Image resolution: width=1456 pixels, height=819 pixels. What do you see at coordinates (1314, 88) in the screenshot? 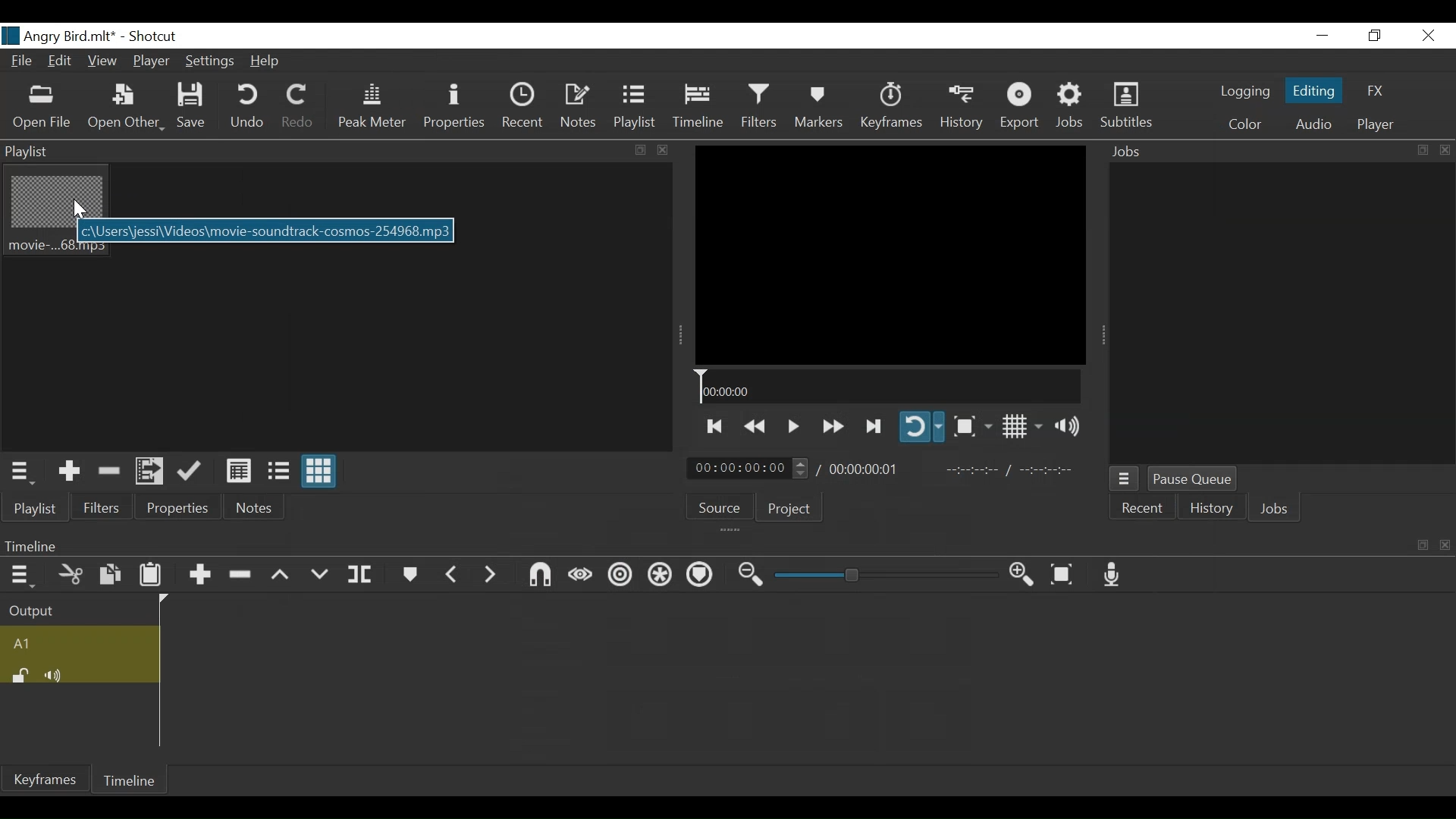
I see `Editing` at bounding box center [1314, 88].